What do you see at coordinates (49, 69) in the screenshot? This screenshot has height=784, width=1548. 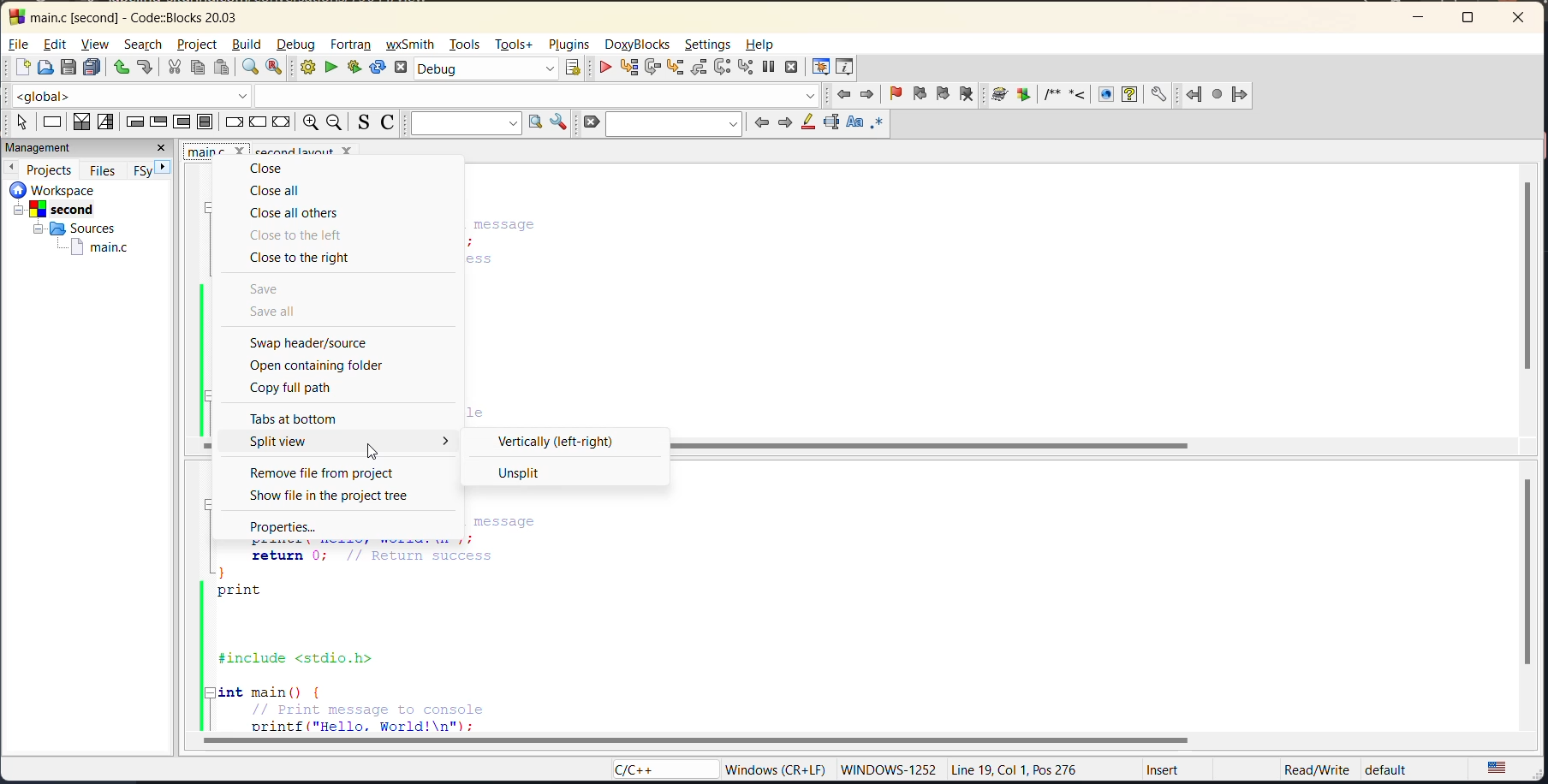 I see `open` at bounding box center [49, 69].